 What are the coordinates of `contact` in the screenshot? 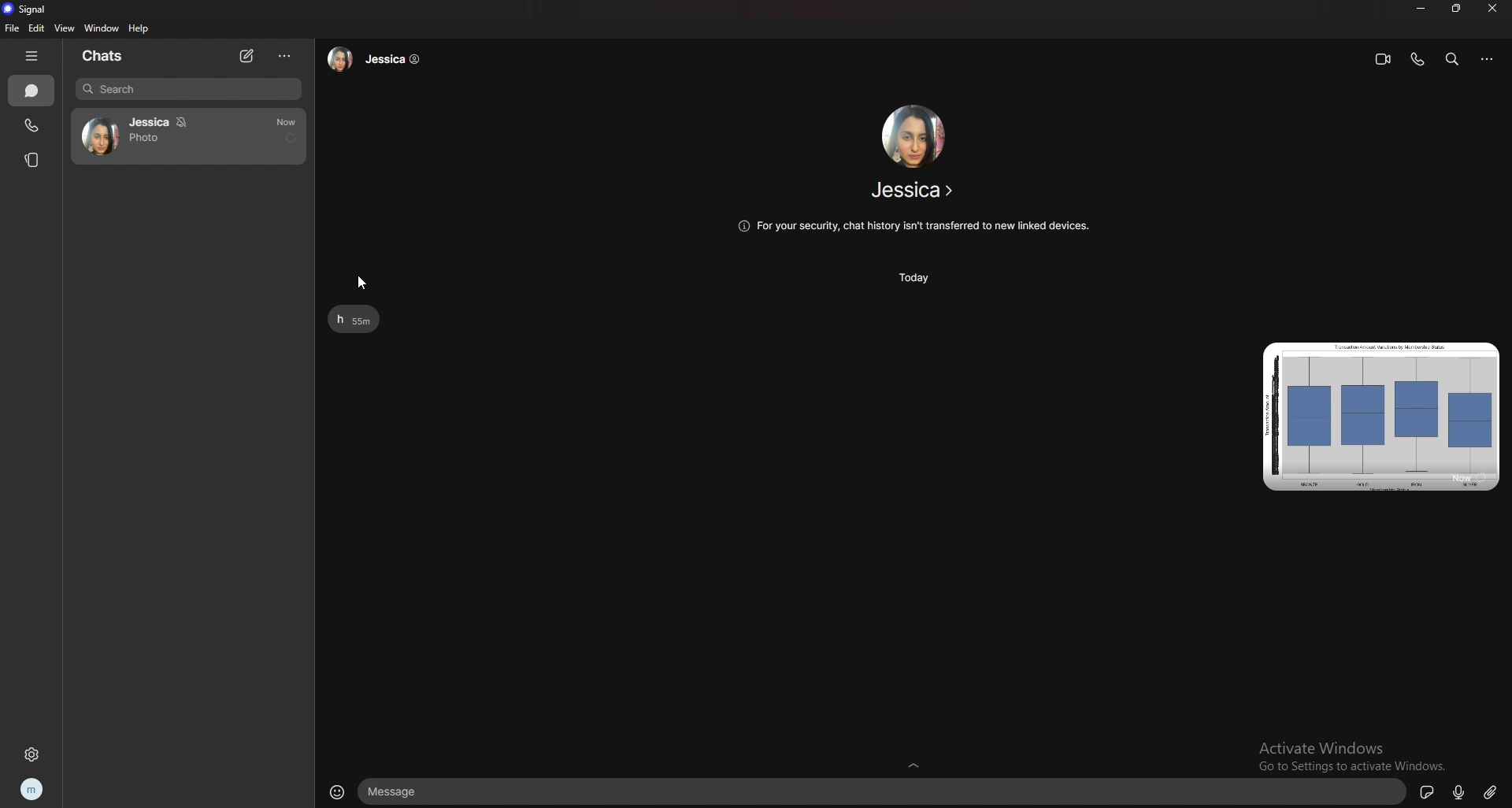 It's located at (914, 190).